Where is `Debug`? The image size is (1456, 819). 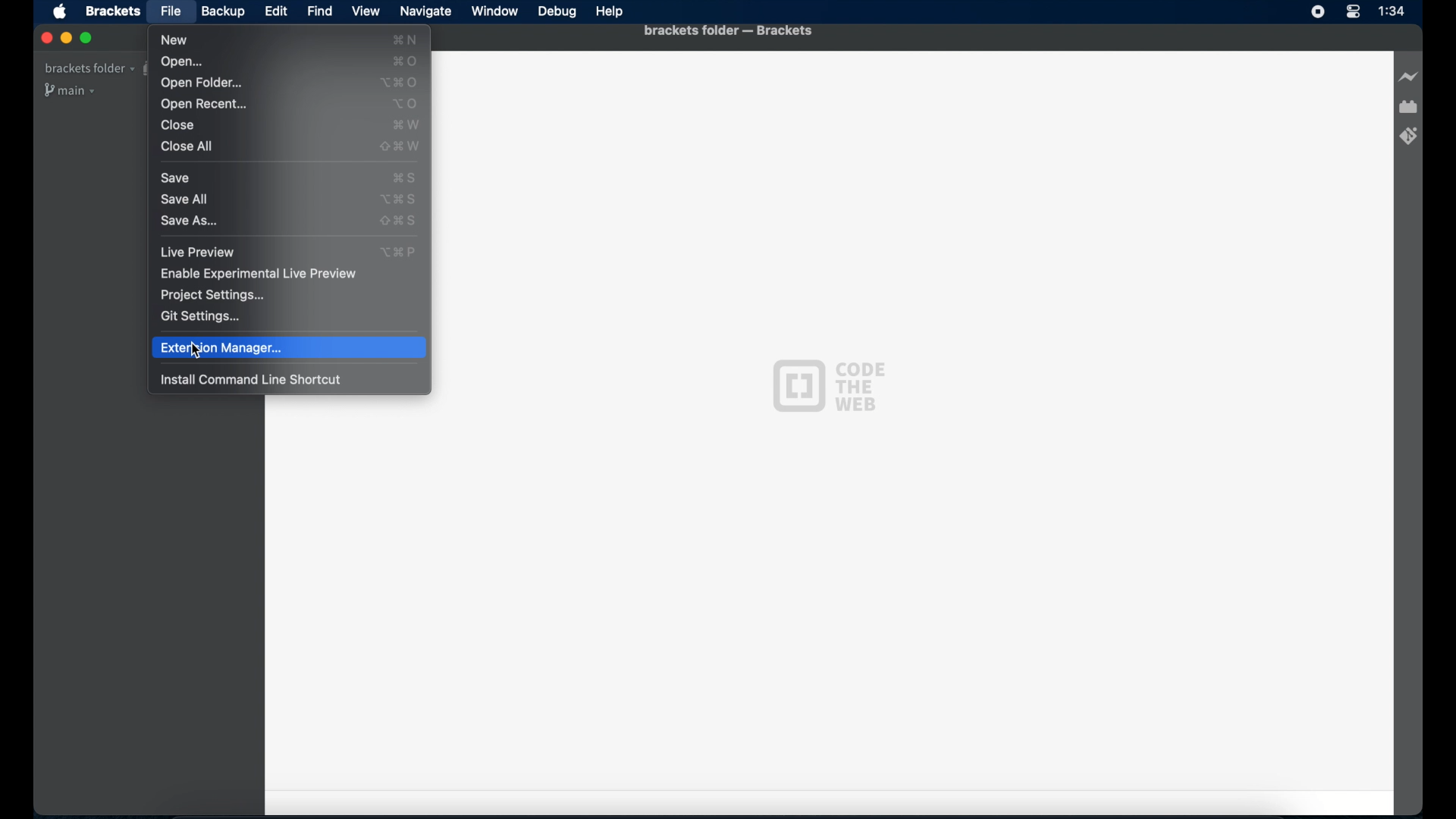 Debug is located at coordinates (557, 11).